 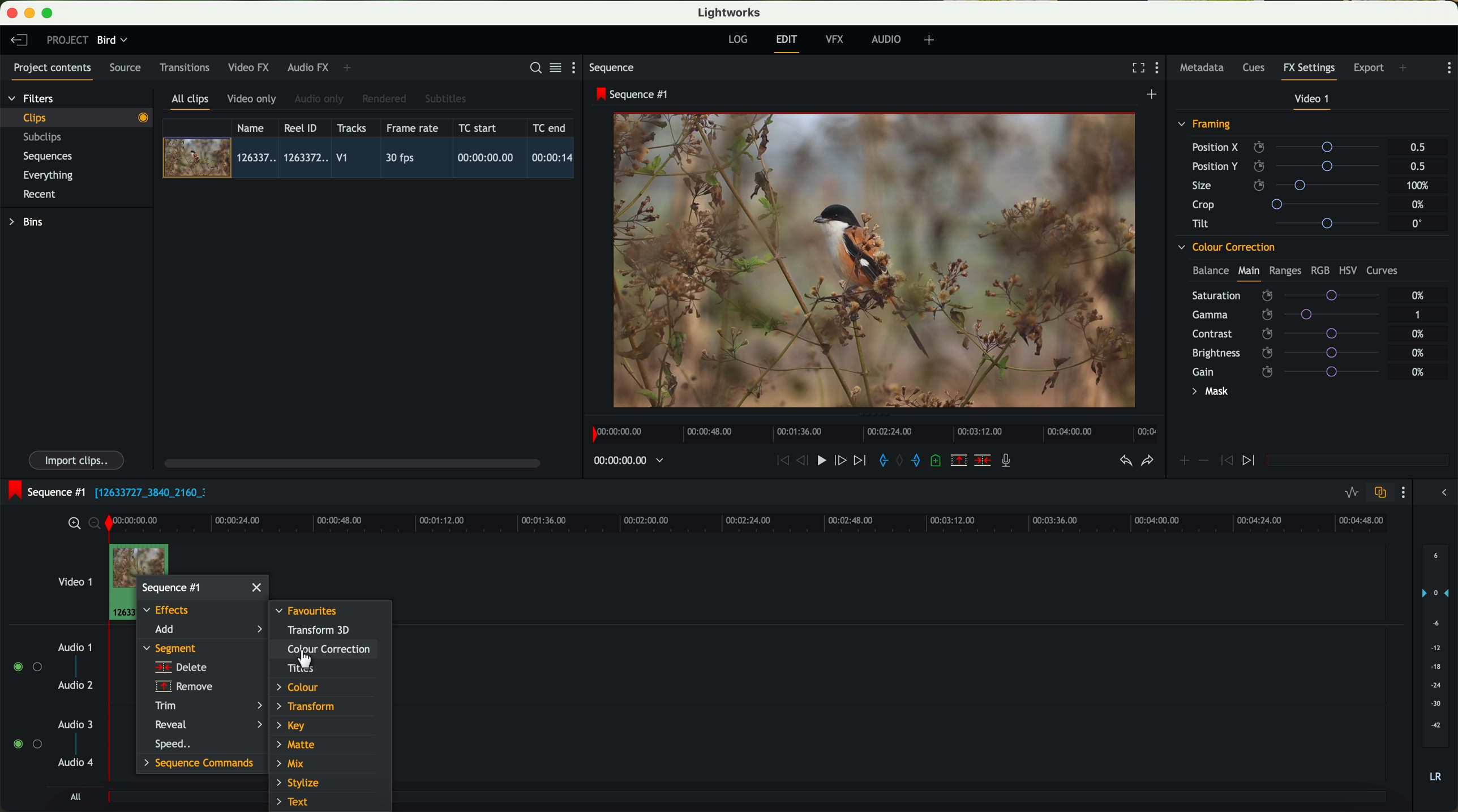 I want to click on 0%, so click(x=1420, y=334).